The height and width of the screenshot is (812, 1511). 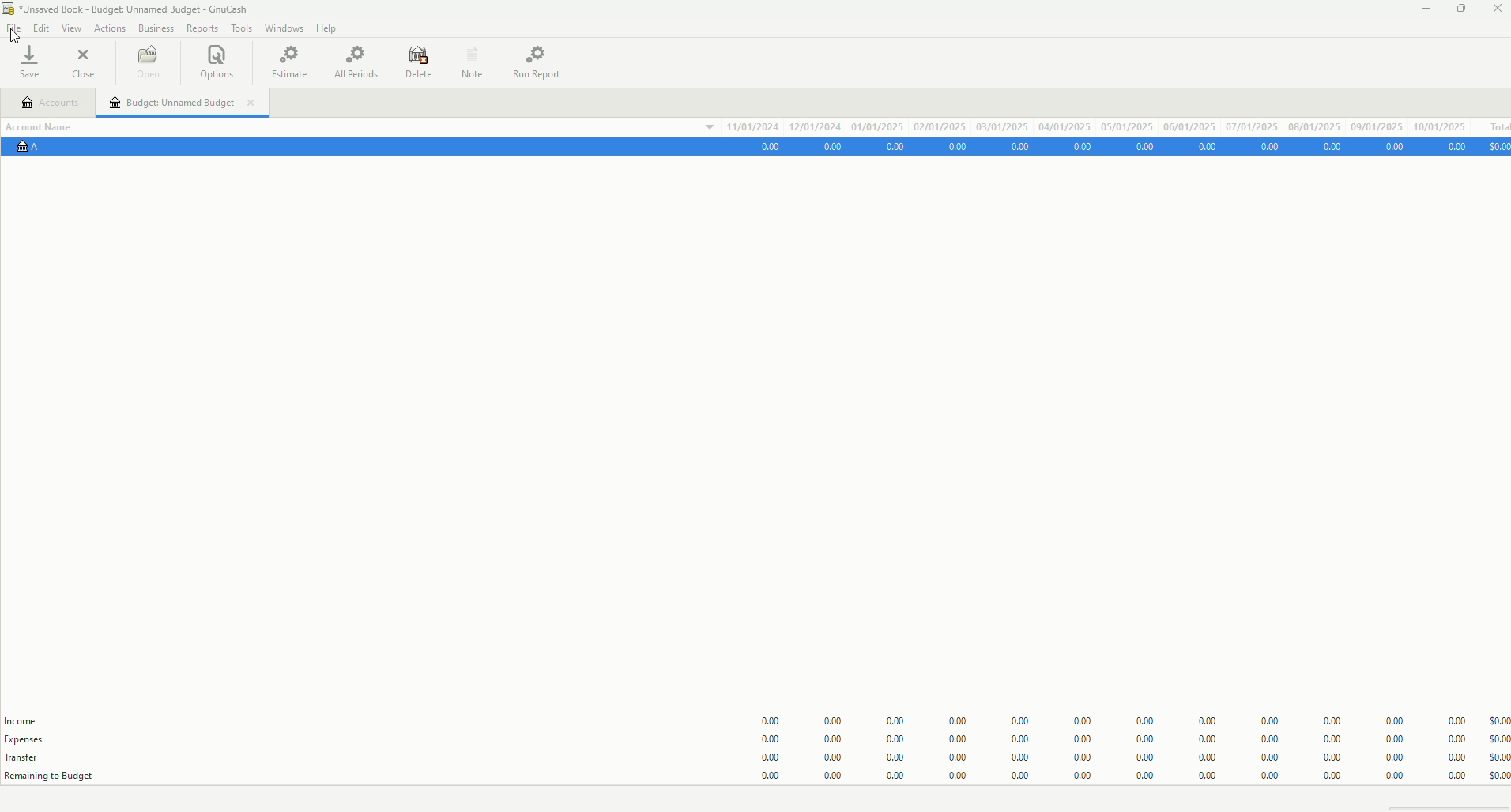 I want to click on Save, so click(x=35, y=60).